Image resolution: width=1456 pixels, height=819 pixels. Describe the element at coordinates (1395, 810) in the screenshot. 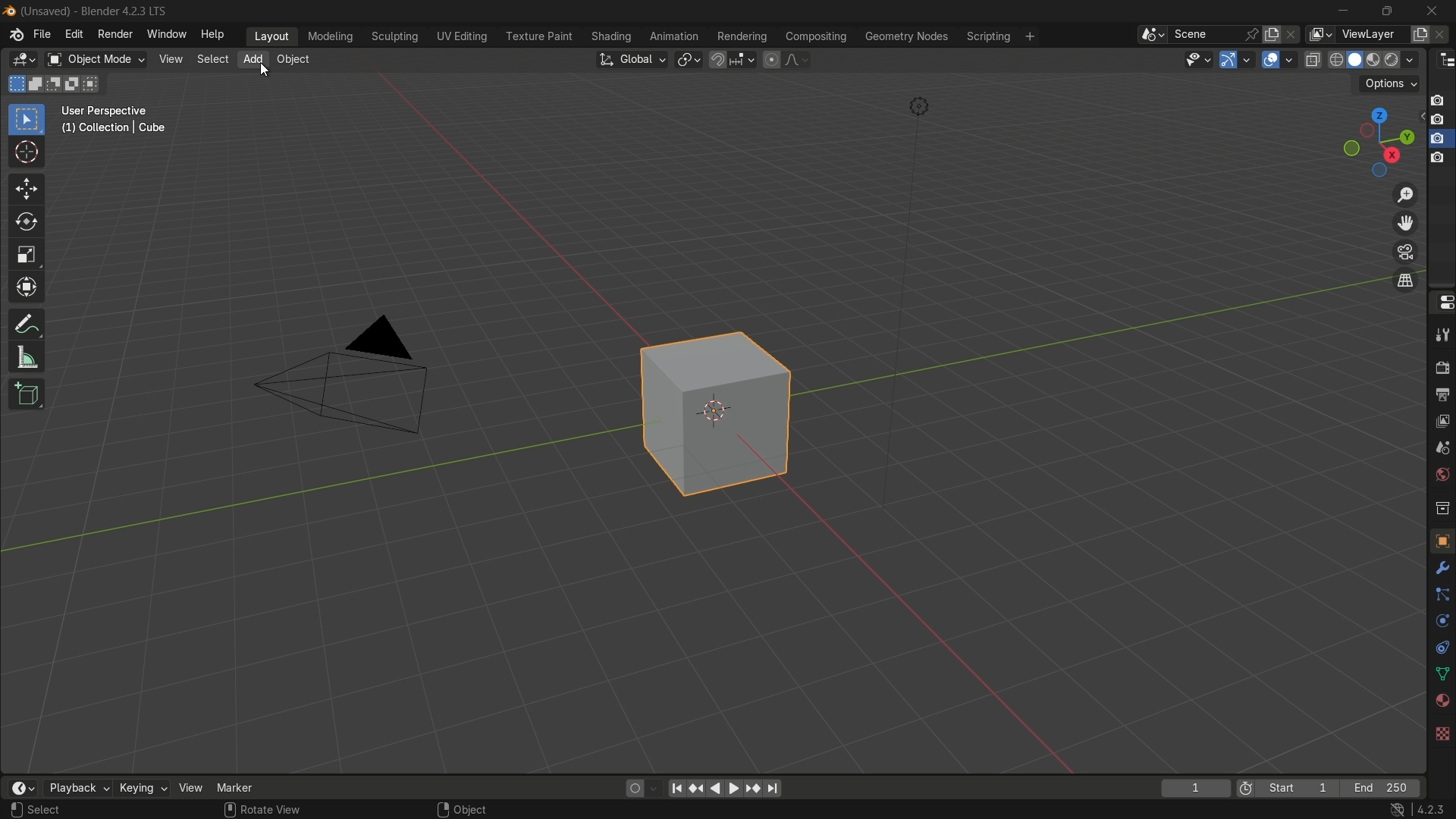

I see `no internet` at that location.